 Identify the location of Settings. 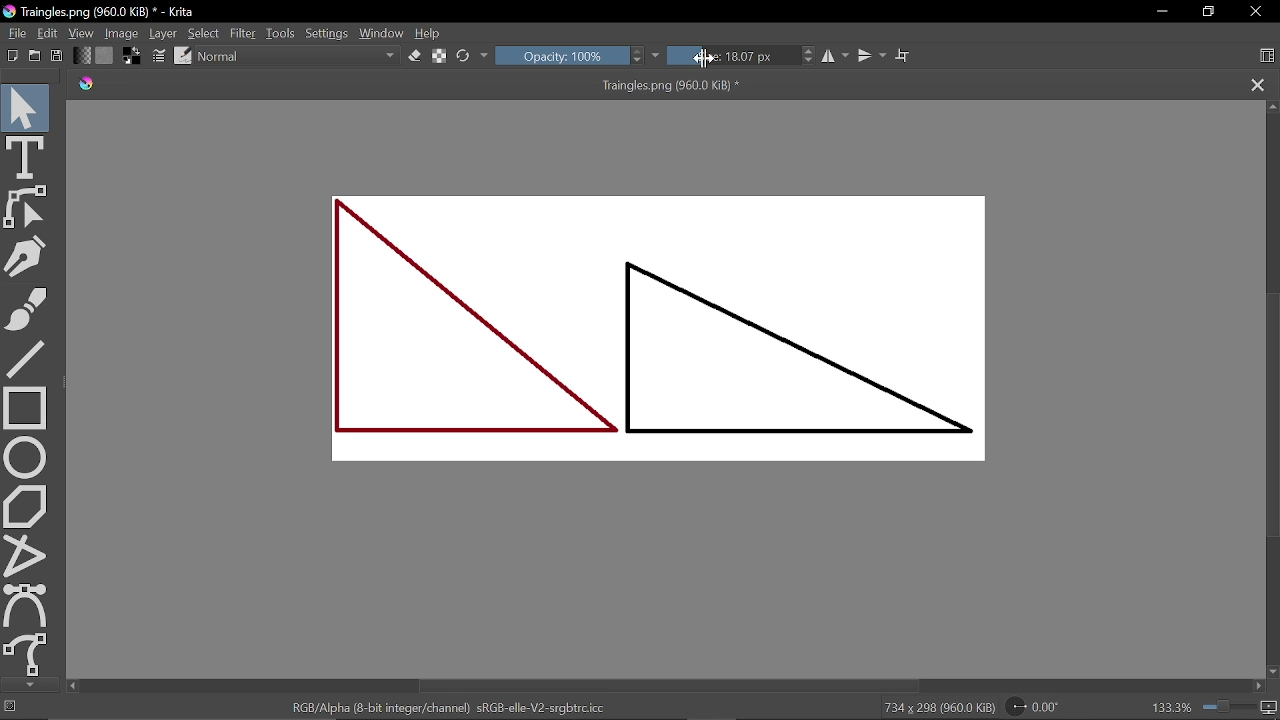
(327, 34).